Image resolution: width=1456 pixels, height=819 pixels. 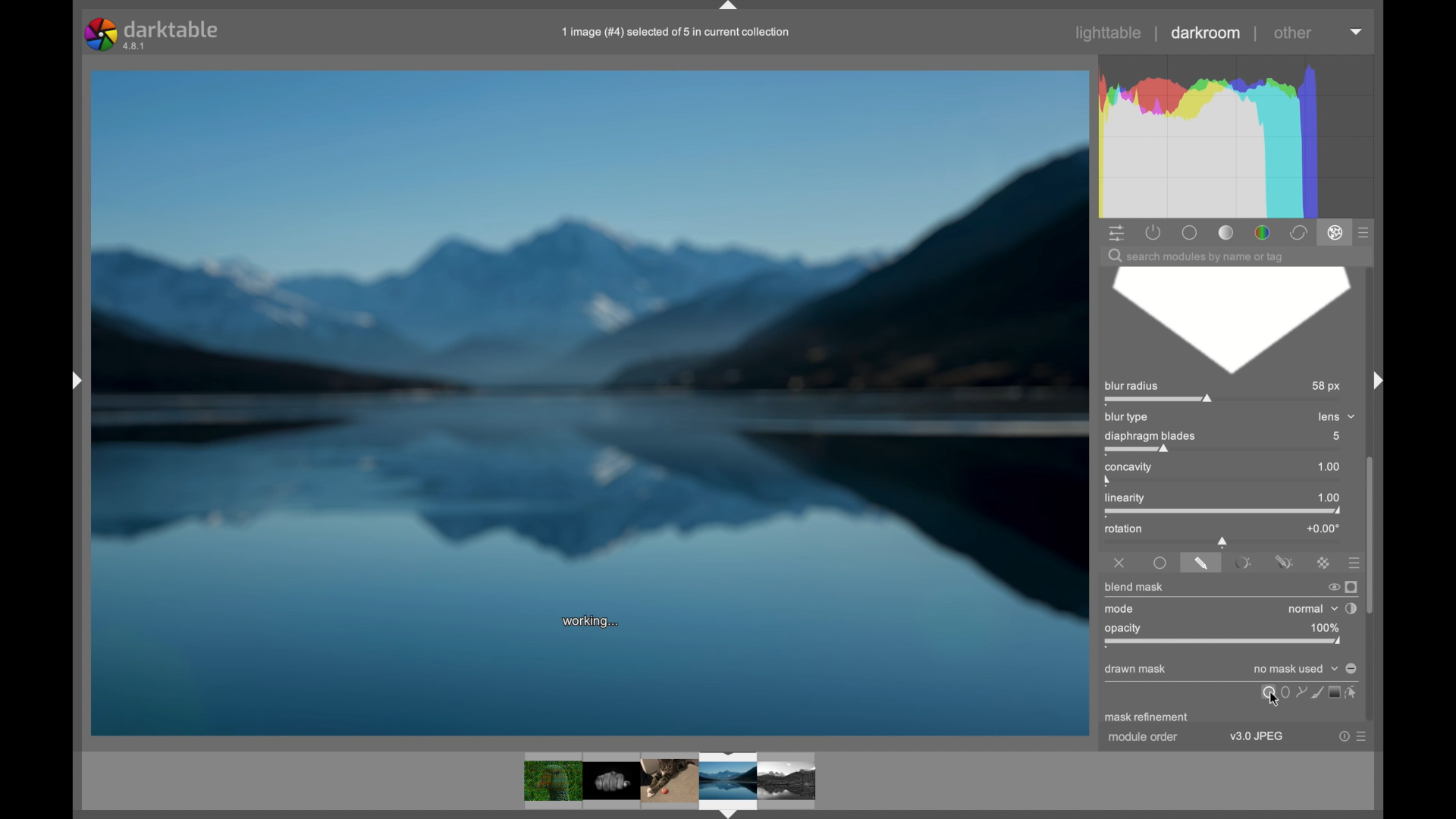 I want to click on lighttable, so click(x=1110, y=33).